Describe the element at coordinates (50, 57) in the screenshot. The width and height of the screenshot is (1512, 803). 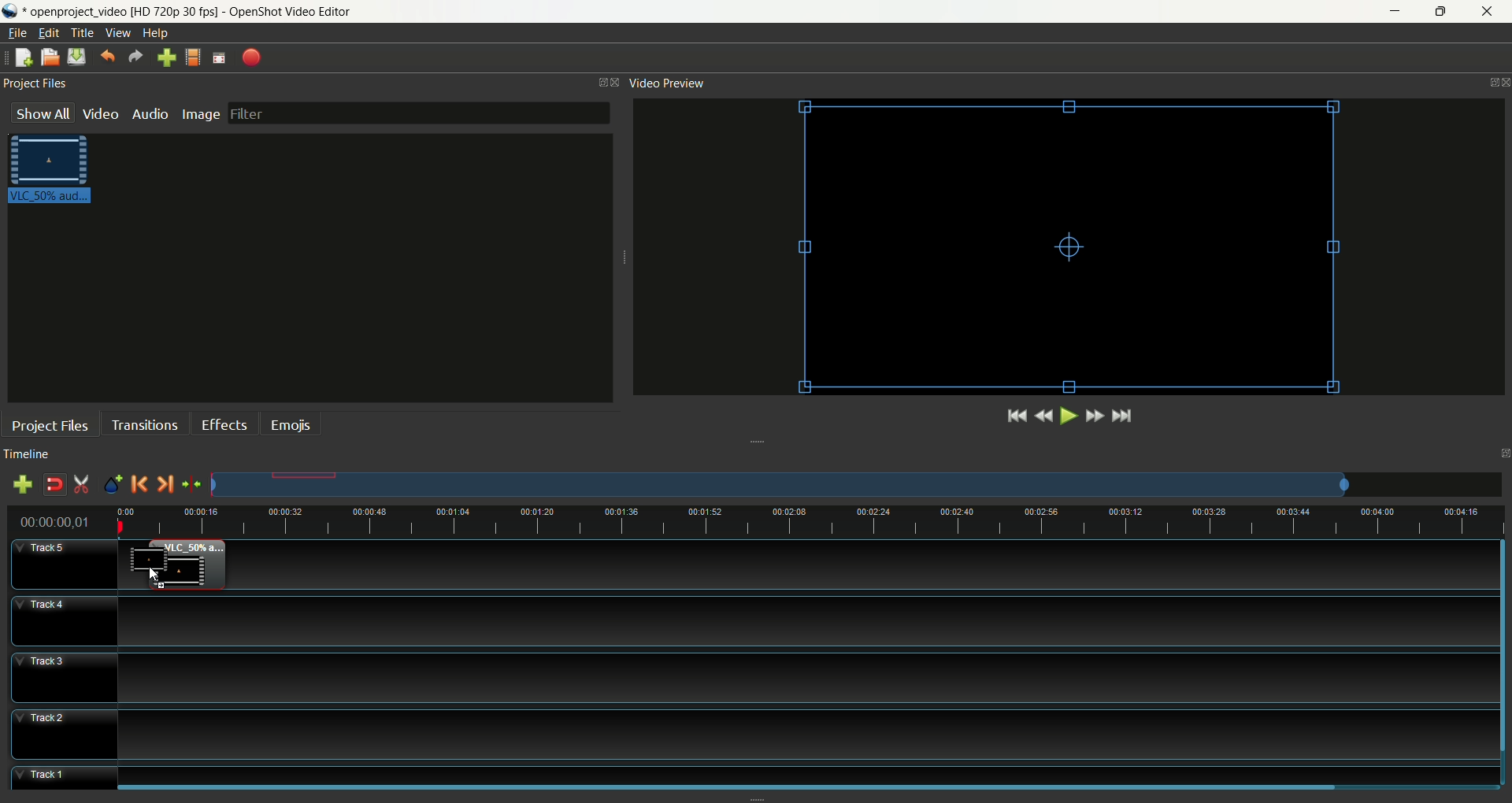
I see `open project` at that location.